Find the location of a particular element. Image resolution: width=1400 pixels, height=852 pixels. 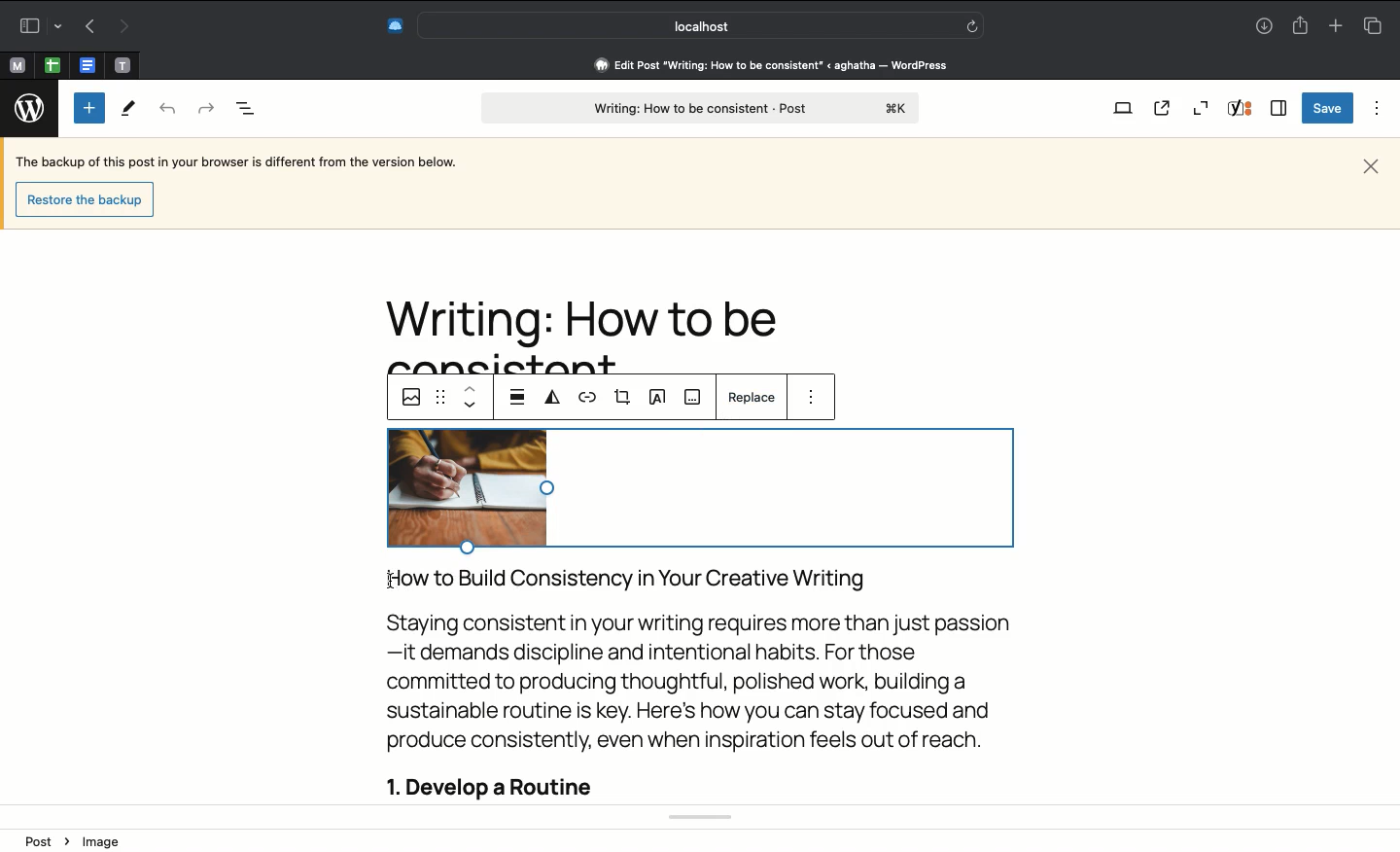

restore the backup is located at coordinates (85, 199).